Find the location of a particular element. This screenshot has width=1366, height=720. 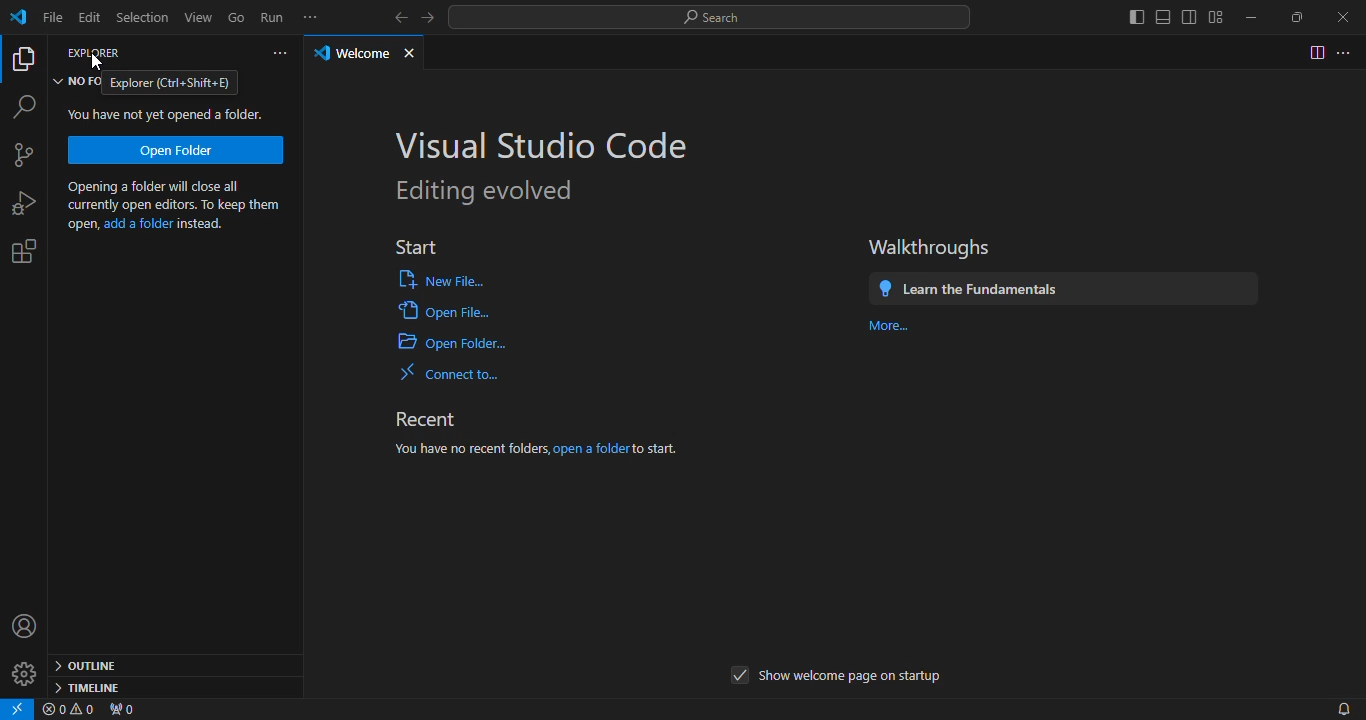

Opening a folder will close all currently open editors. To keep them open, add a folder instead. is located at coordinates (178, 207).